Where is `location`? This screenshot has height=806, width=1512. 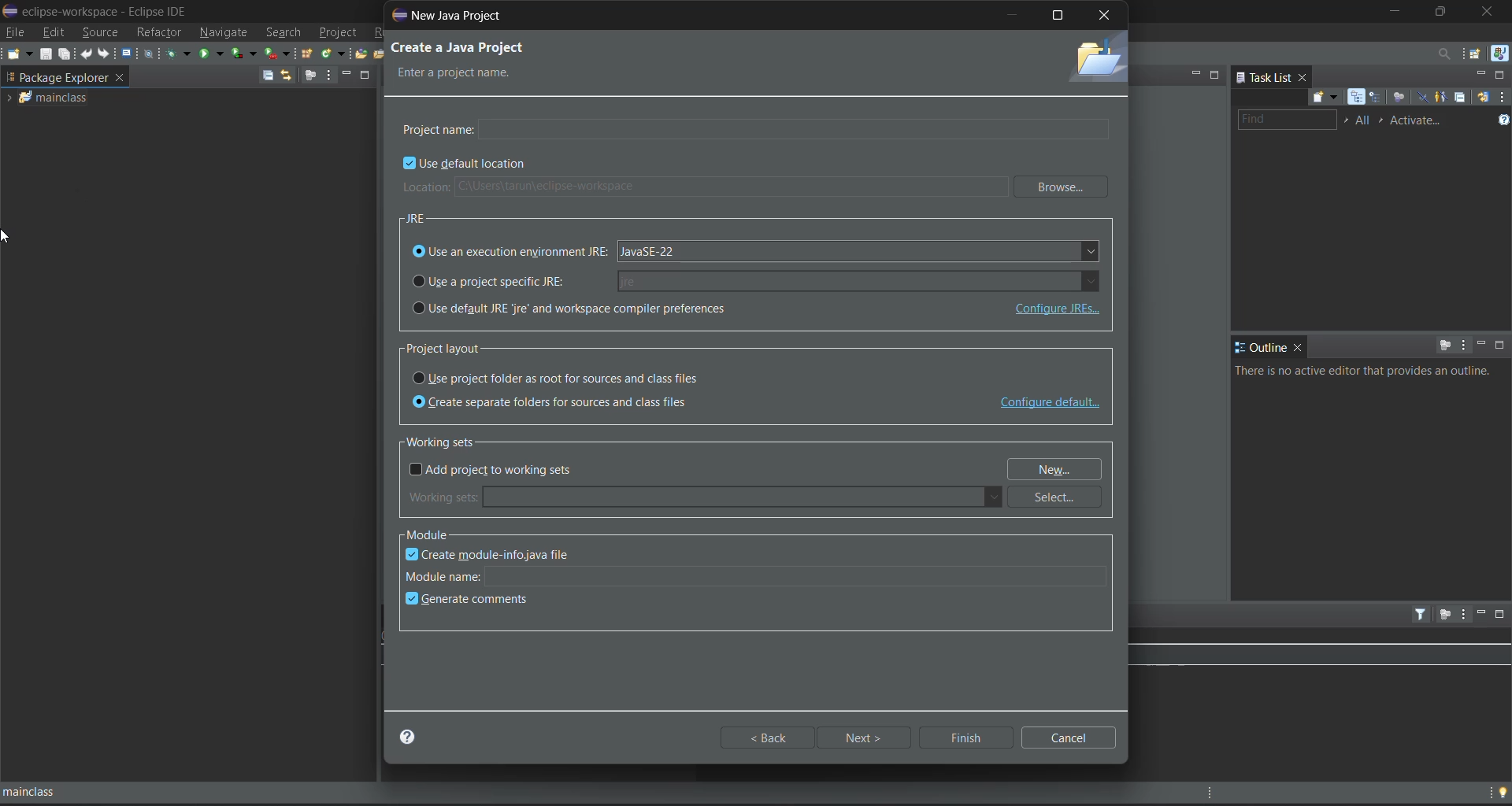
location is located at coordinates (702, 187).